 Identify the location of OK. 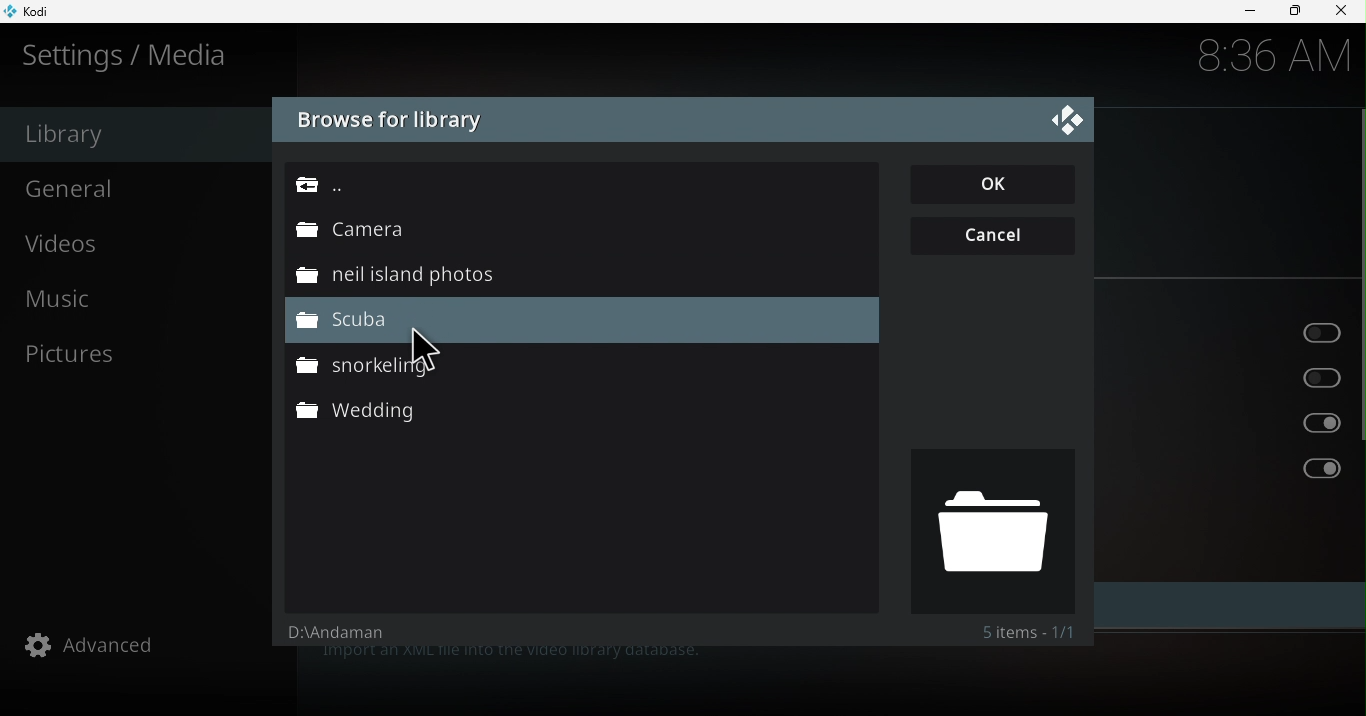
(996, 185).